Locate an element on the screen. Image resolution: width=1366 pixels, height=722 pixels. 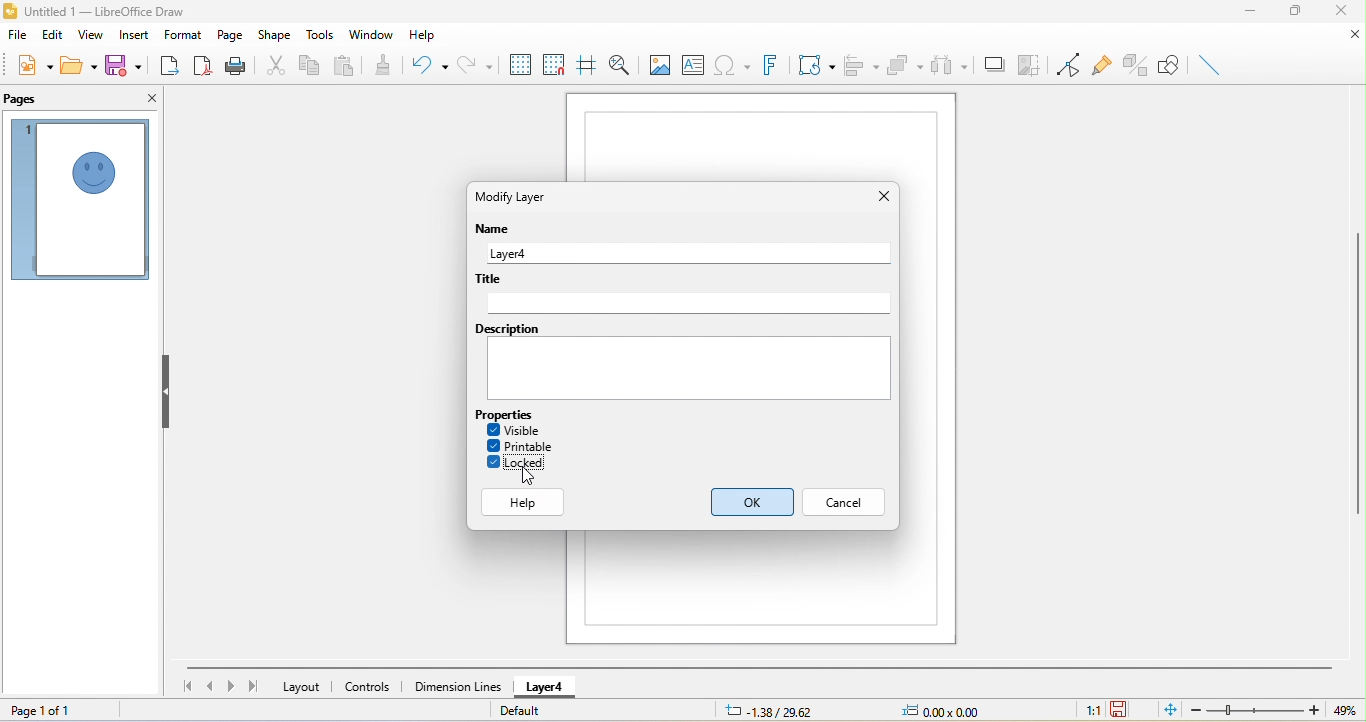
text box is located at coordinates (695, 63).